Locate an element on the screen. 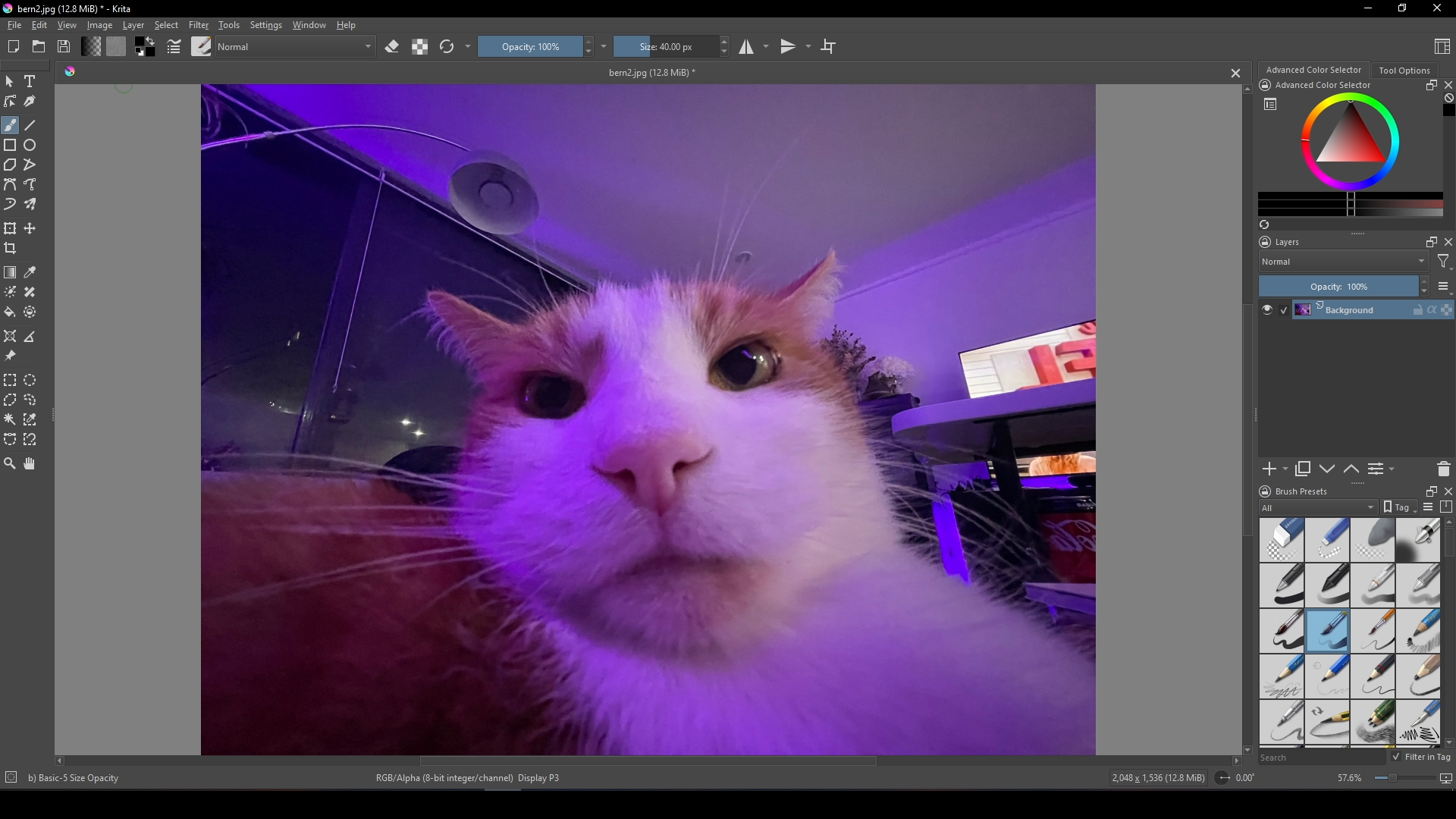  Edit shapes tool is located at coordinates (10, 101).